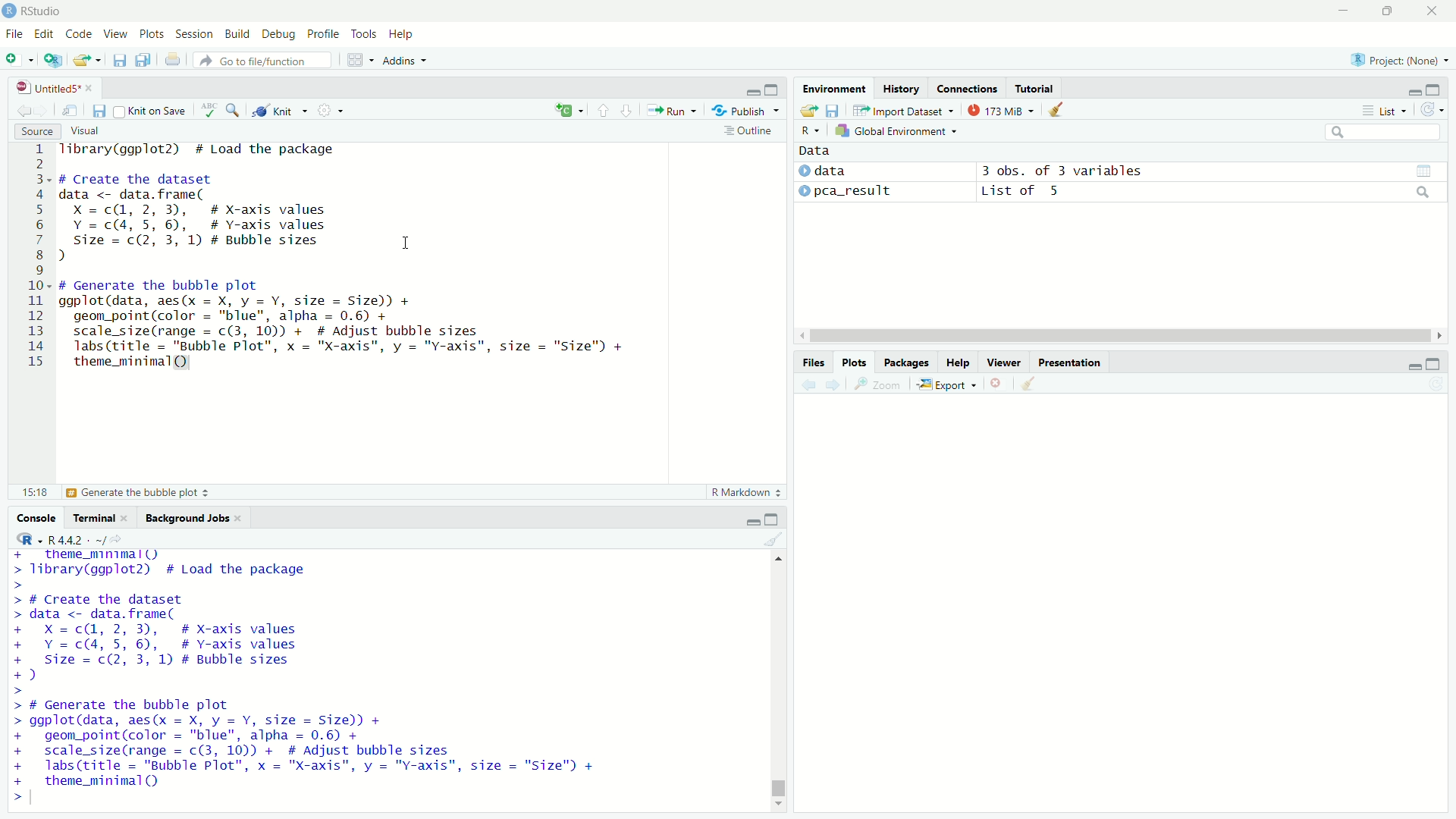 This screenshot has width=1456, height=819. What do you see at coordinates (37, 260) in the screenshot?
I see `lines` at bounding box center [37, 260].